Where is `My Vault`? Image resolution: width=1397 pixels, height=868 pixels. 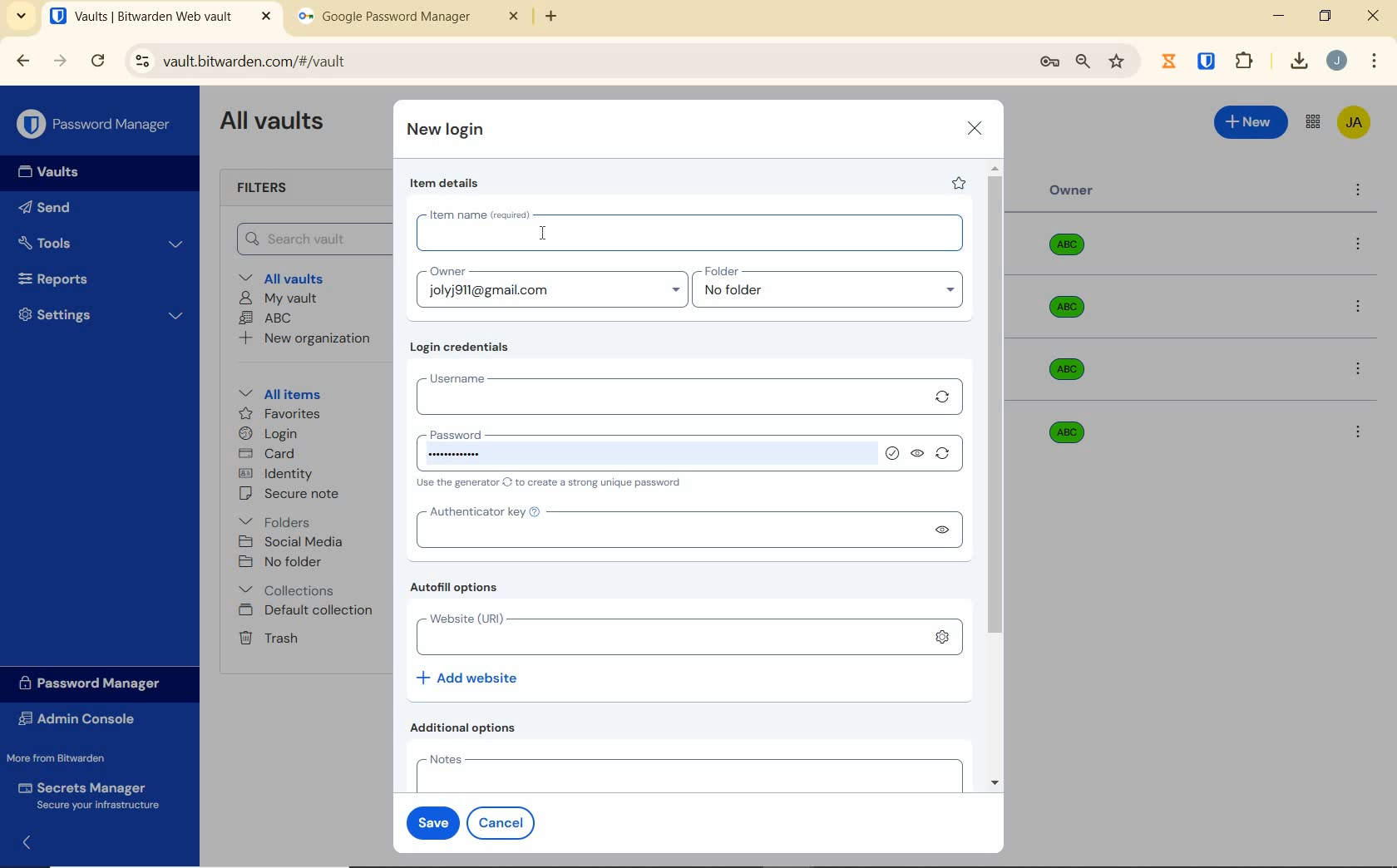 My Vault is located at coordinates (279, 298).